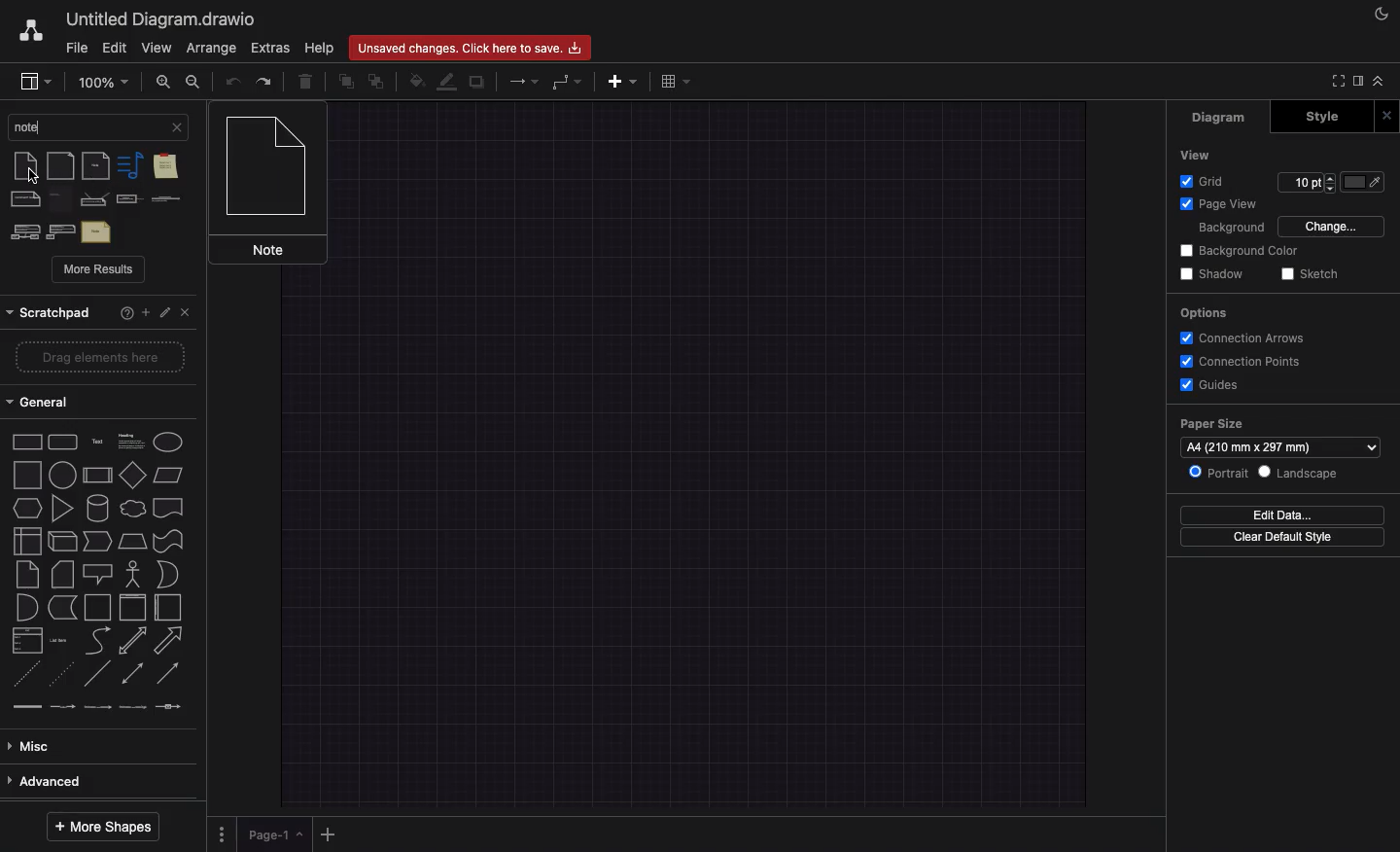 The image size is (1400, 852). What do you see at coordinates (99, 508) in the screenshot?
I see `cylinder` at bounding box center [99, 508].